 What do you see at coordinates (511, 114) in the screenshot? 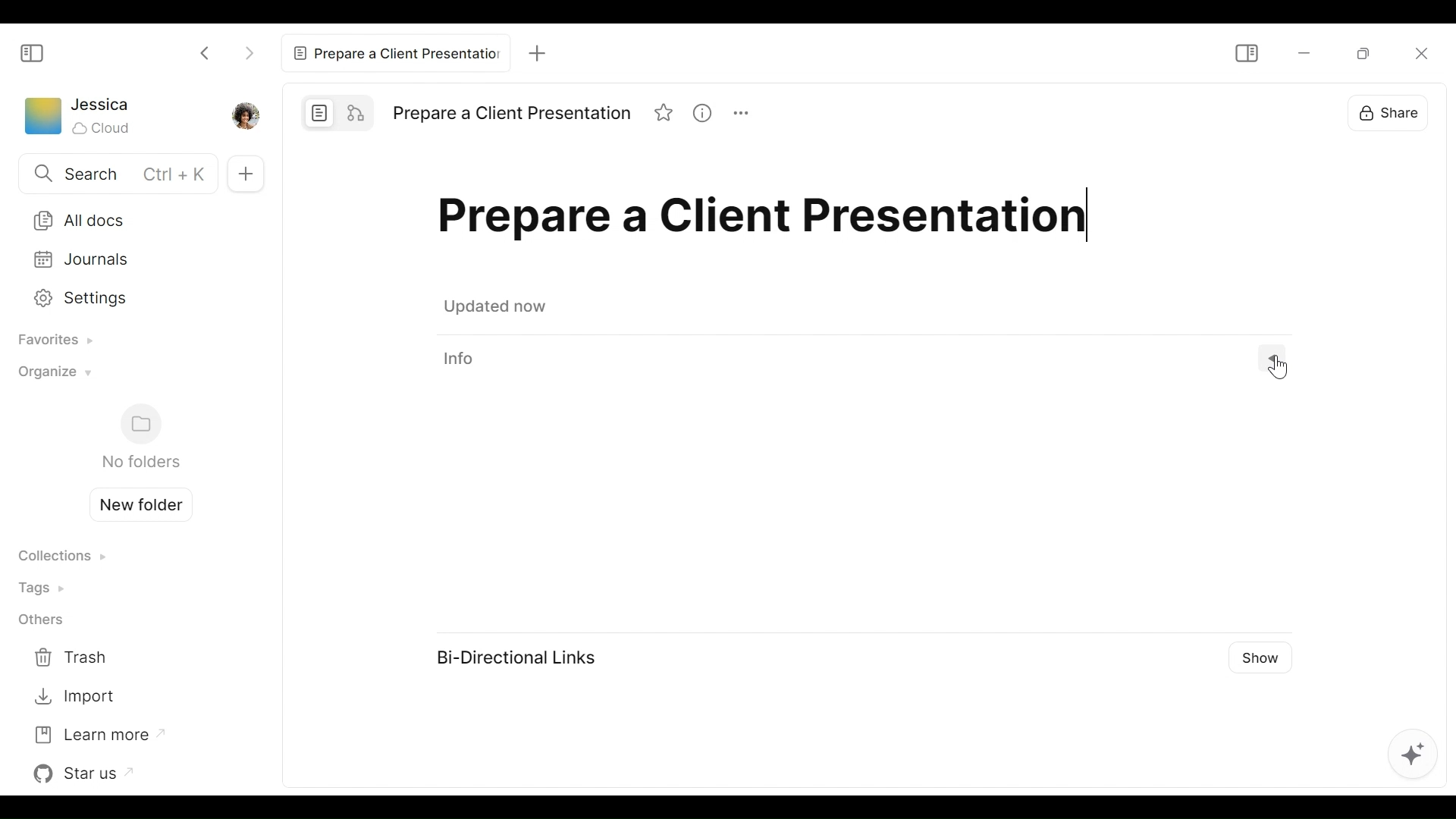
I see `Title` at bounding box center [511, 114].